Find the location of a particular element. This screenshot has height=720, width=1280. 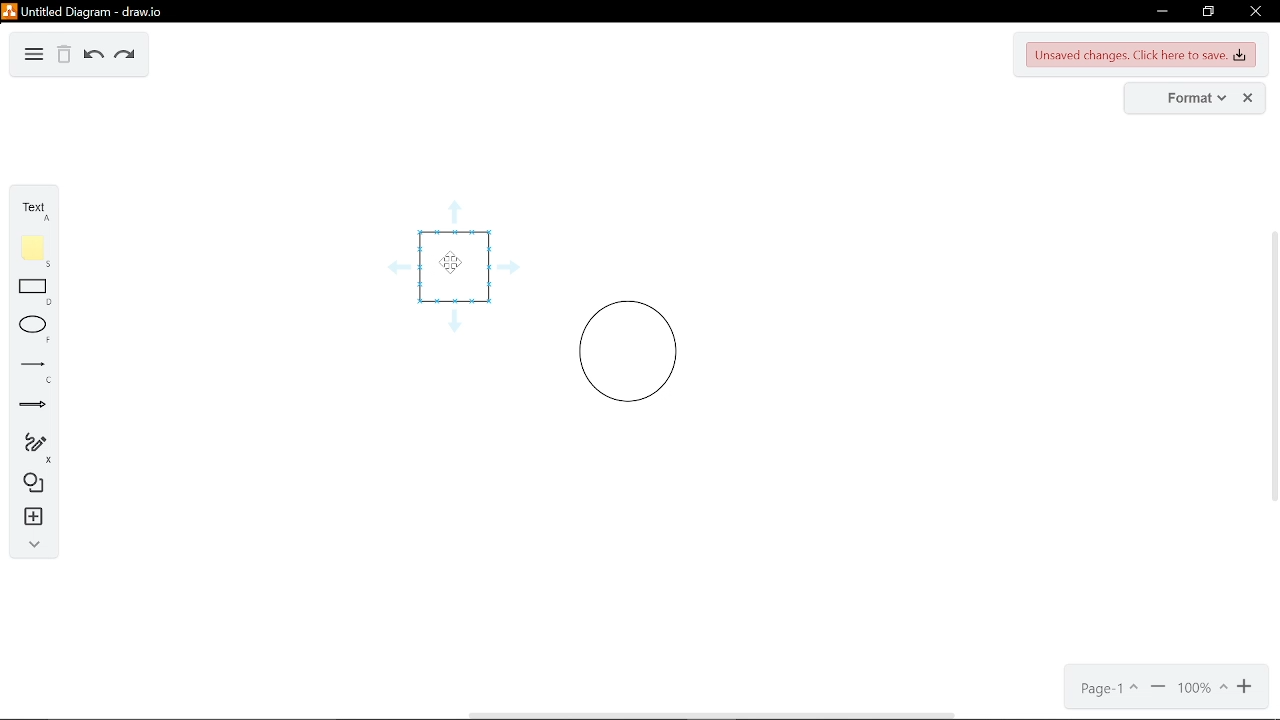

ellipse is located at coordinates (31, 330).